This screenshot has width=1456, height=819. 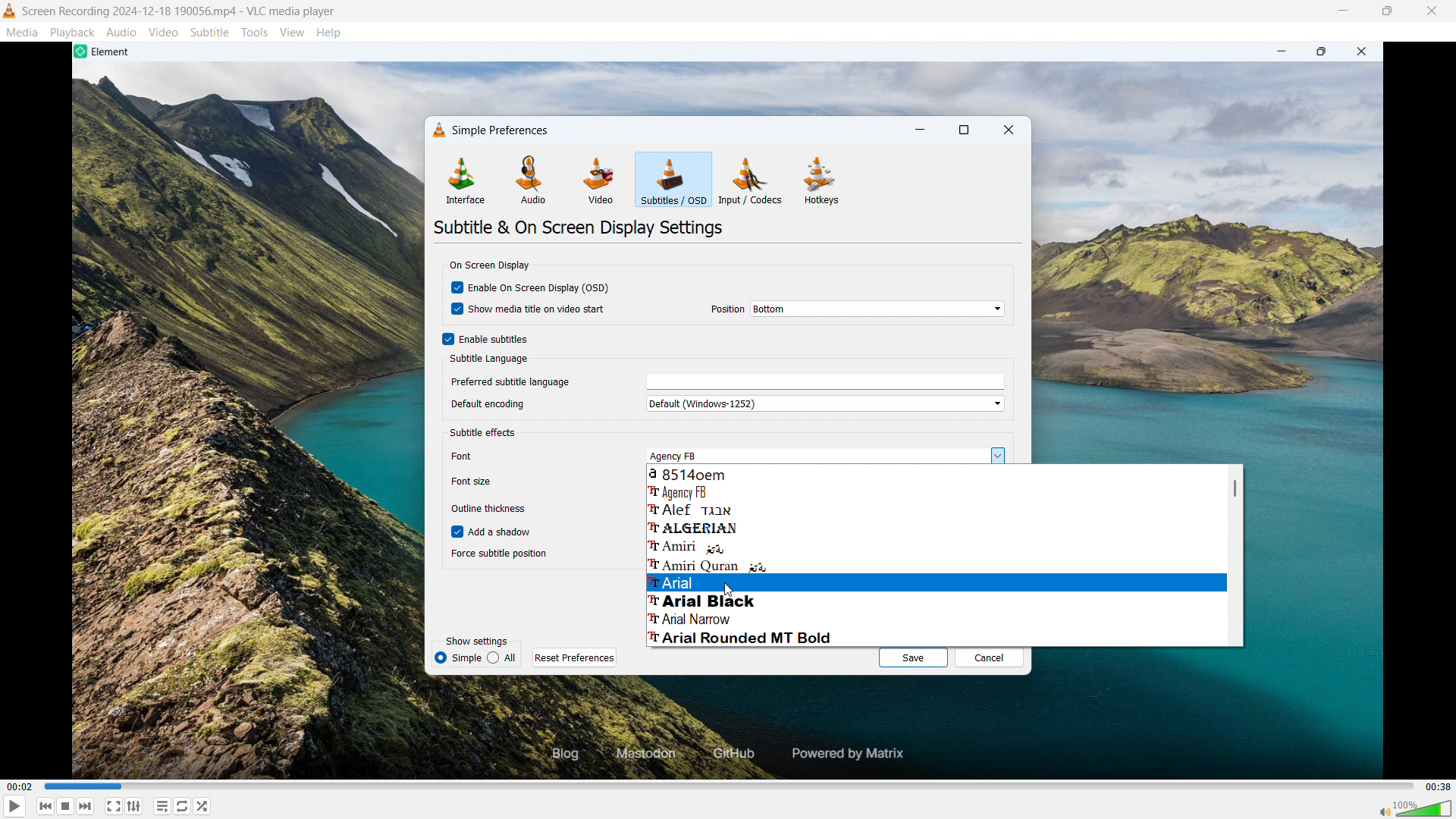 What do you see at coordinates (823, 403) in the screenshot?
I see `set default encoding` at bounding box center [823, 403].